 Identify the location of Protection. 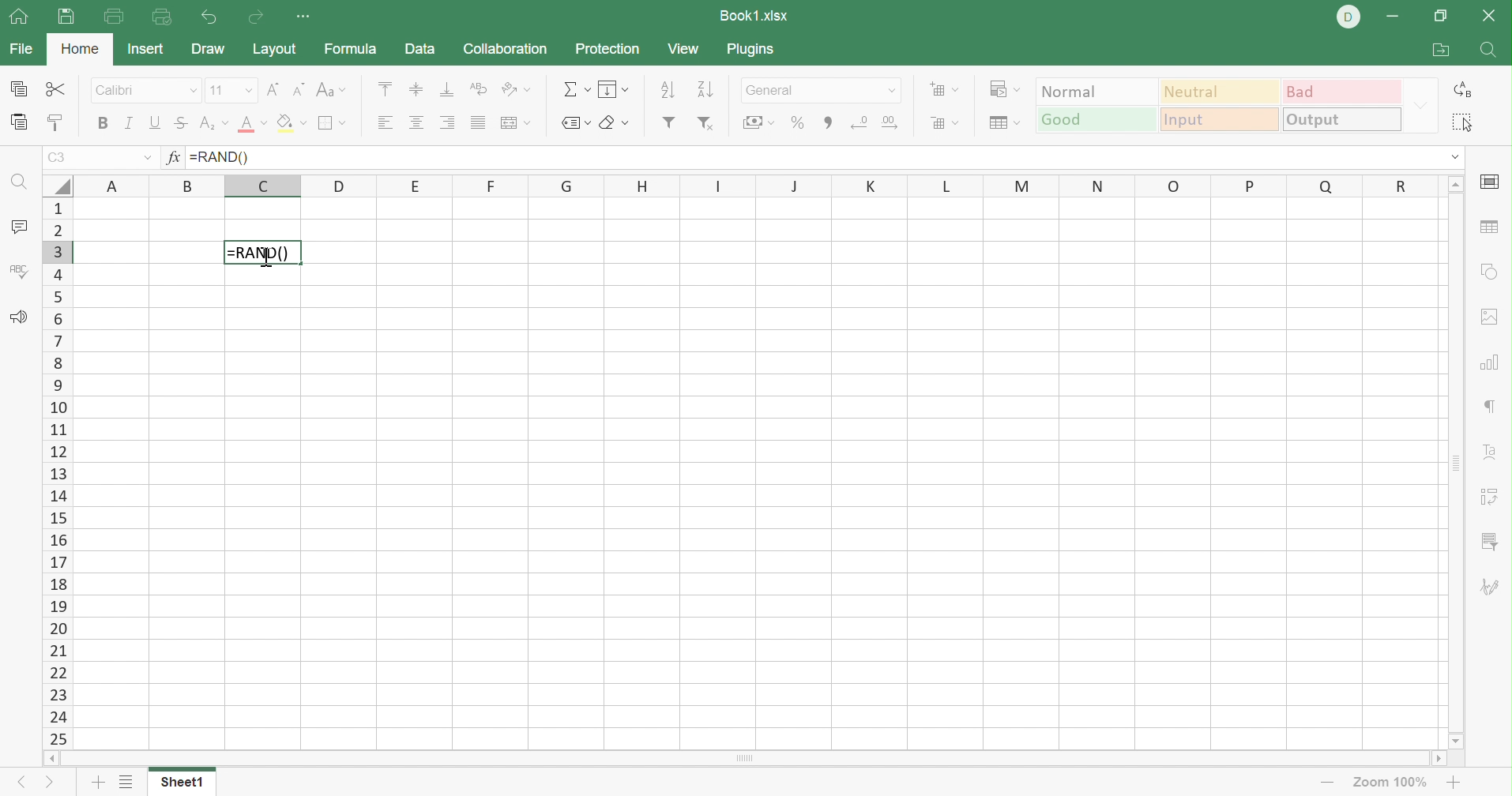
(605, 47).